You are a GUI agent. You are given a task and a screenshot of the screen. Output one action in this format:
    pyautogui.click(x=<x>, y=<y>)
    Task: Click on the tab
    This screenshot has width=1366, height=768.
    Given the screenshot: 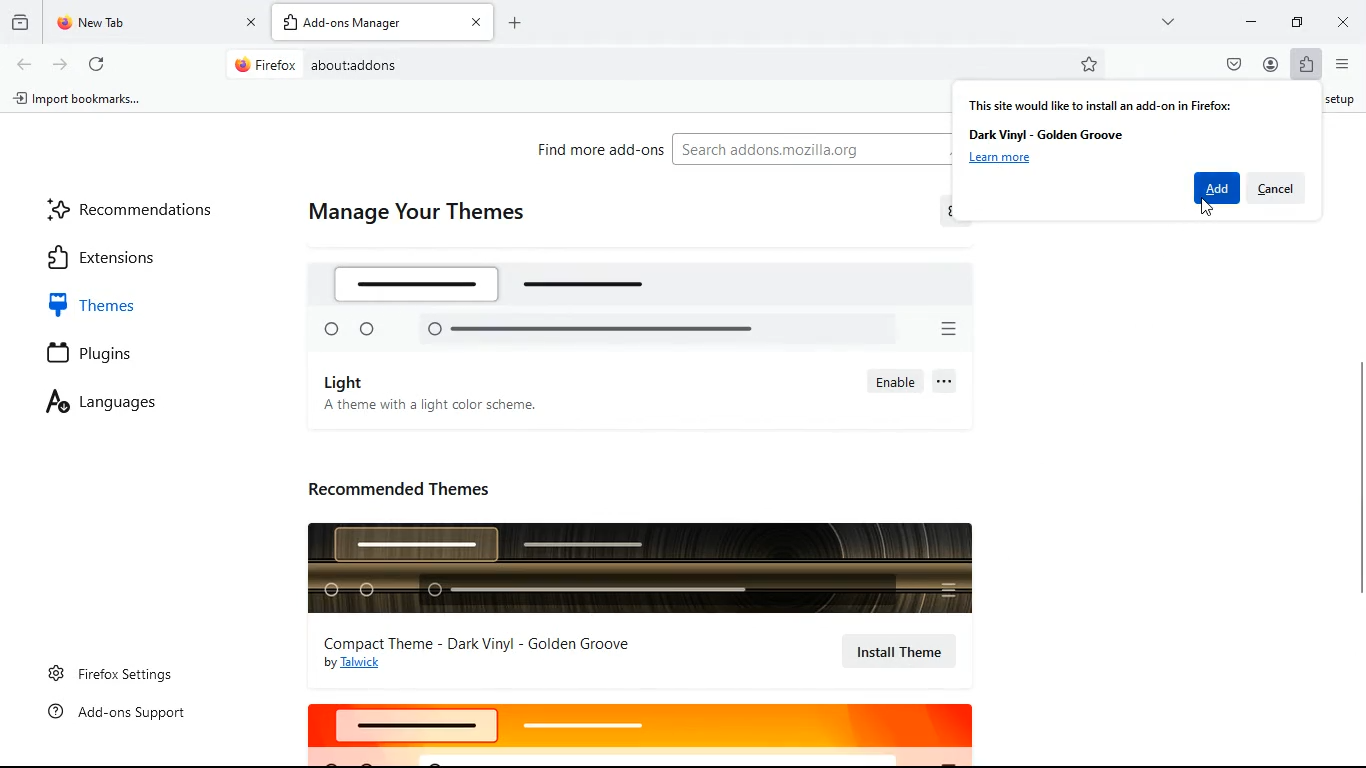 What is the action you would take?
    pyautogui.click(x=156, y=24)
    